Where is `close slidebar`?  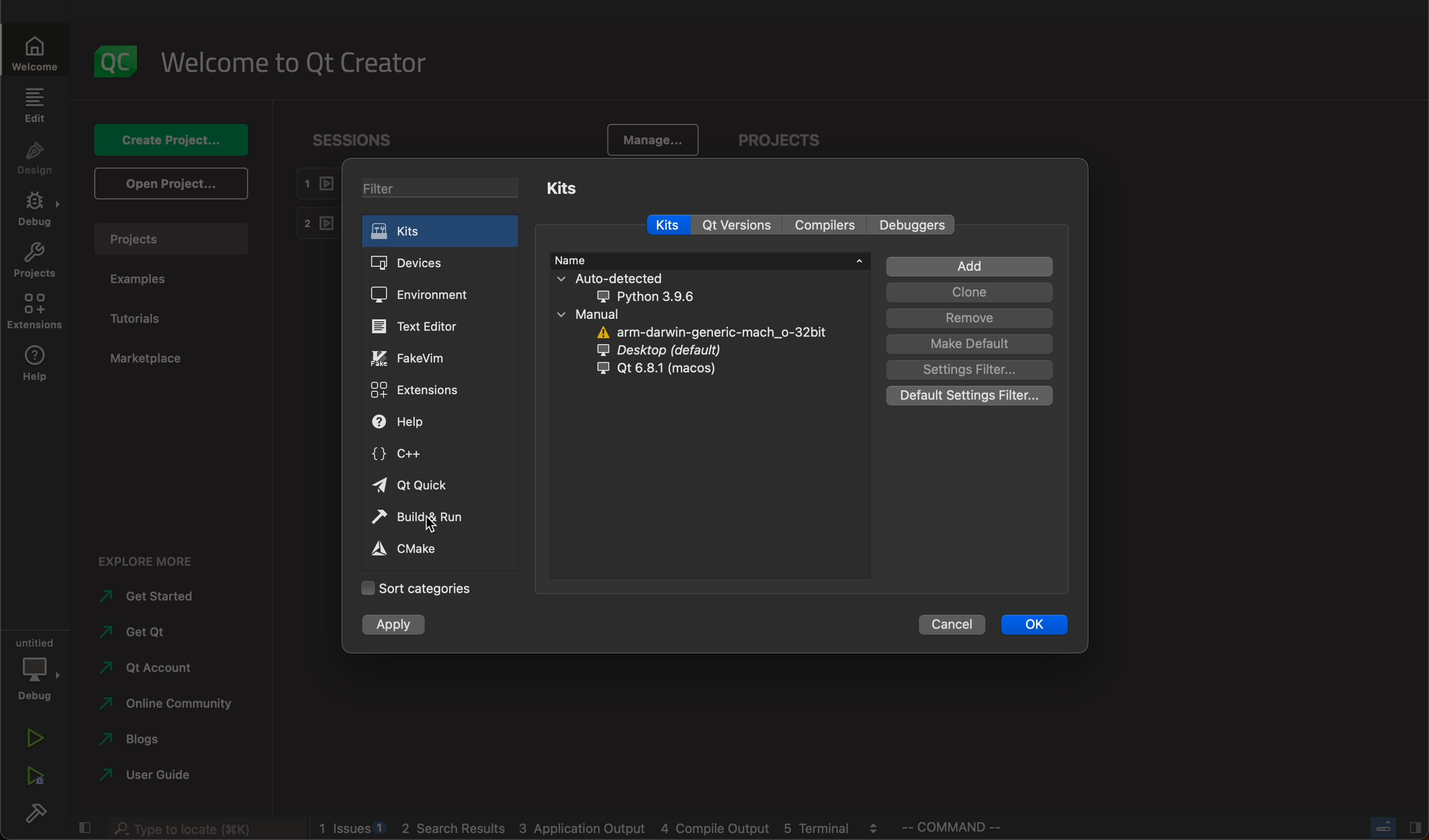
close slidebar is located at coordinates (84, 827).